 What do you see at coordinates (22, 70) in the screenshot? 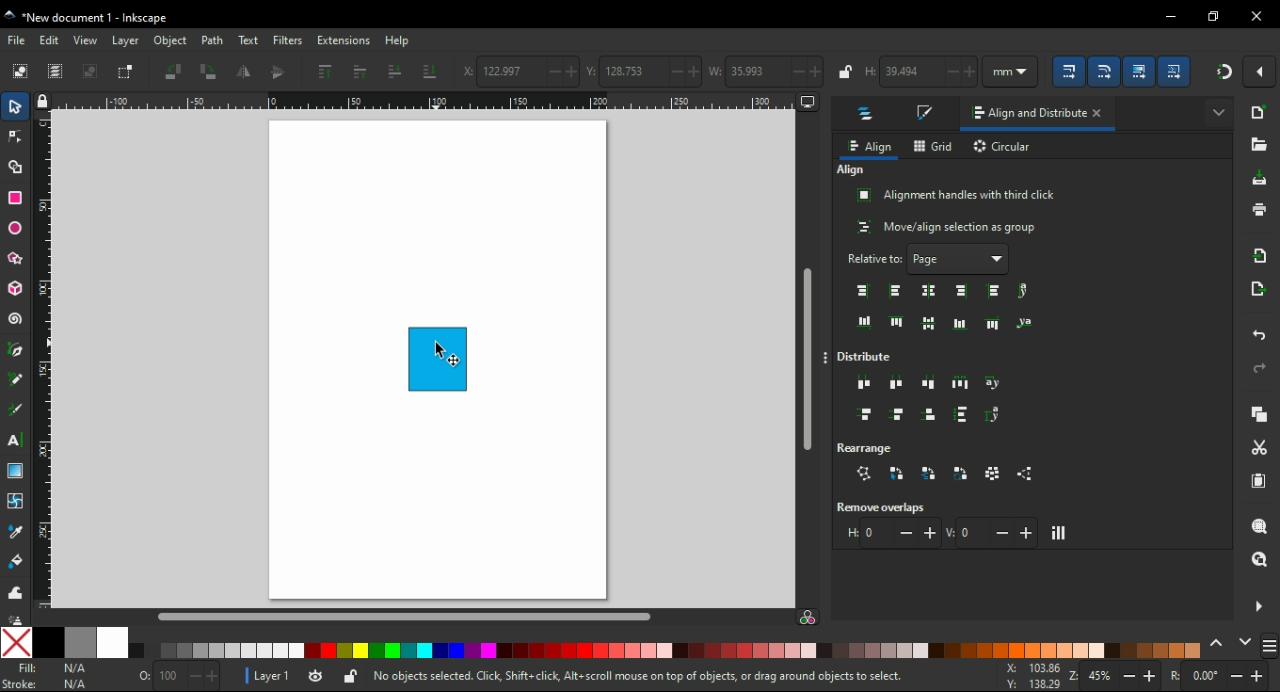
I see `select` at bounding box center [22, 70].